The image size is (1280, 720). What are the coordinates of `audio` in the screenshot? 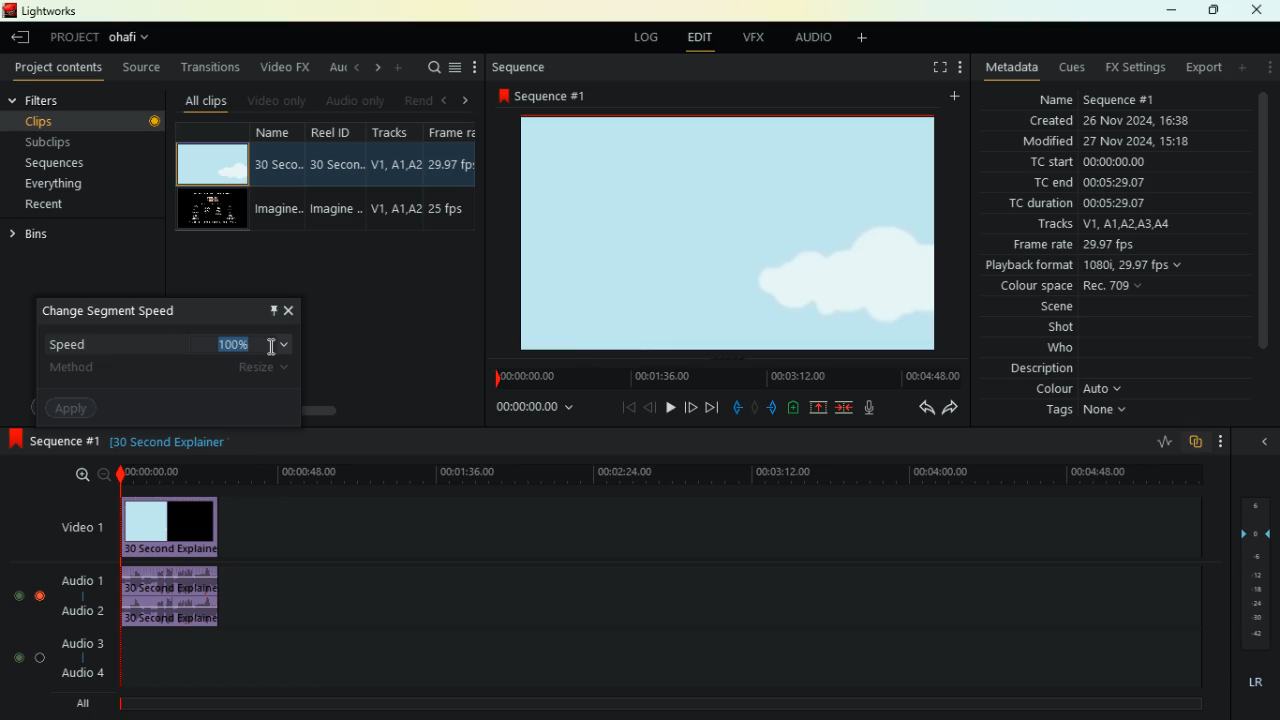 It's located at (815, 40).